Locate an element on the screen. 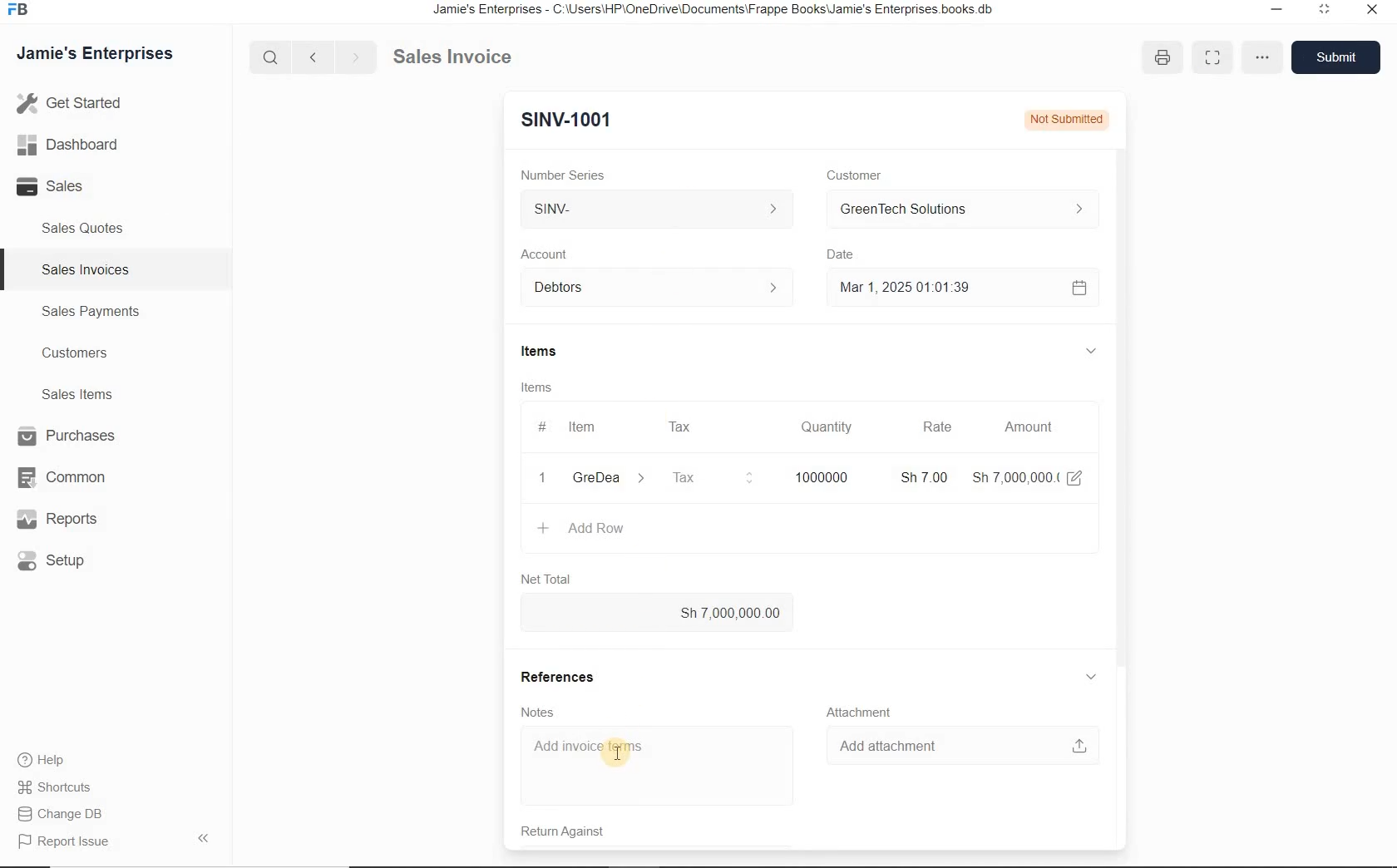  Items is located at coordinates (535, 353).